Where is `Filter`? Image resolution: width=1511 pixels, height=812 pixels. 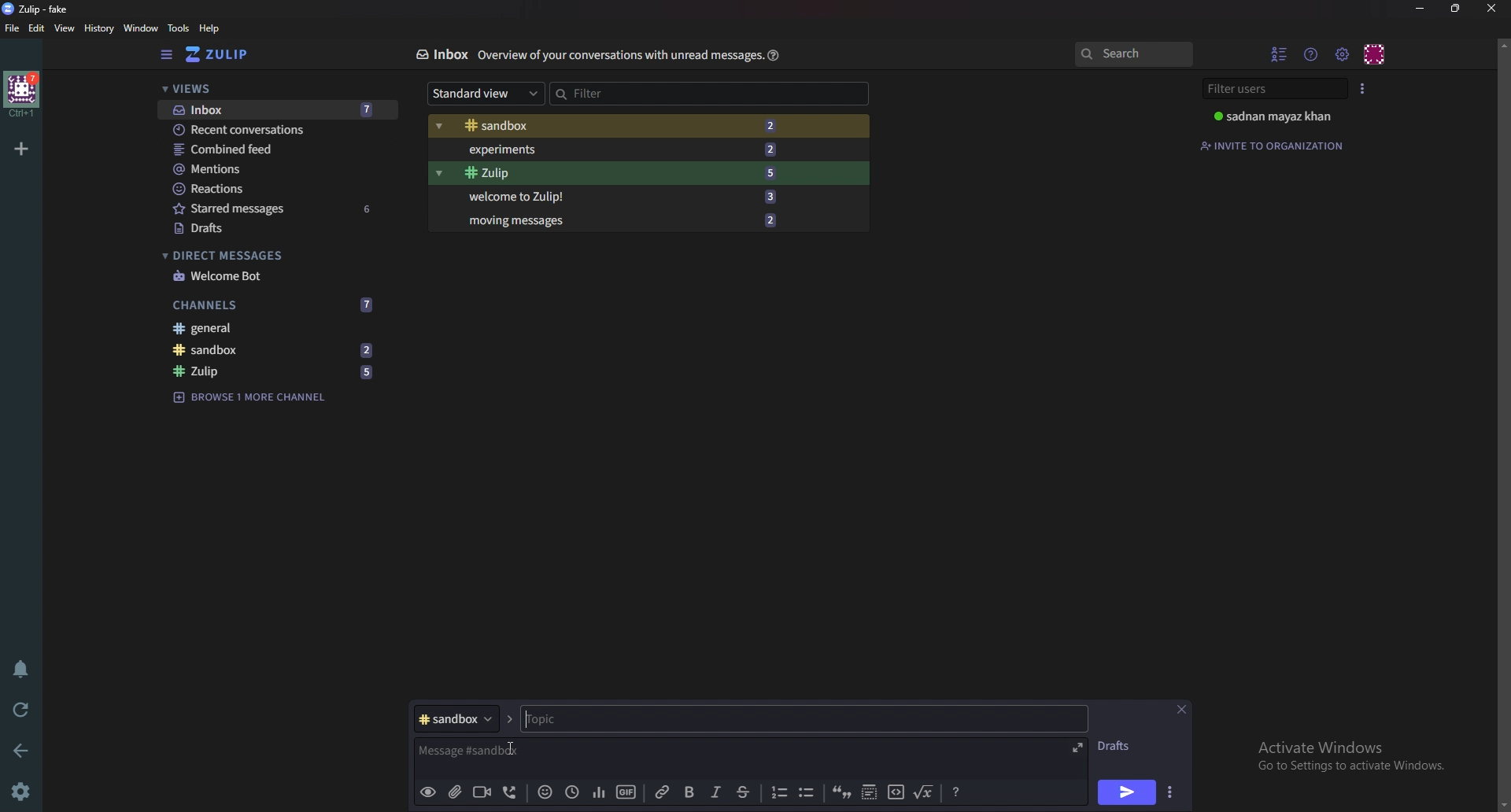 Filter is located at coordinates (617, 93).